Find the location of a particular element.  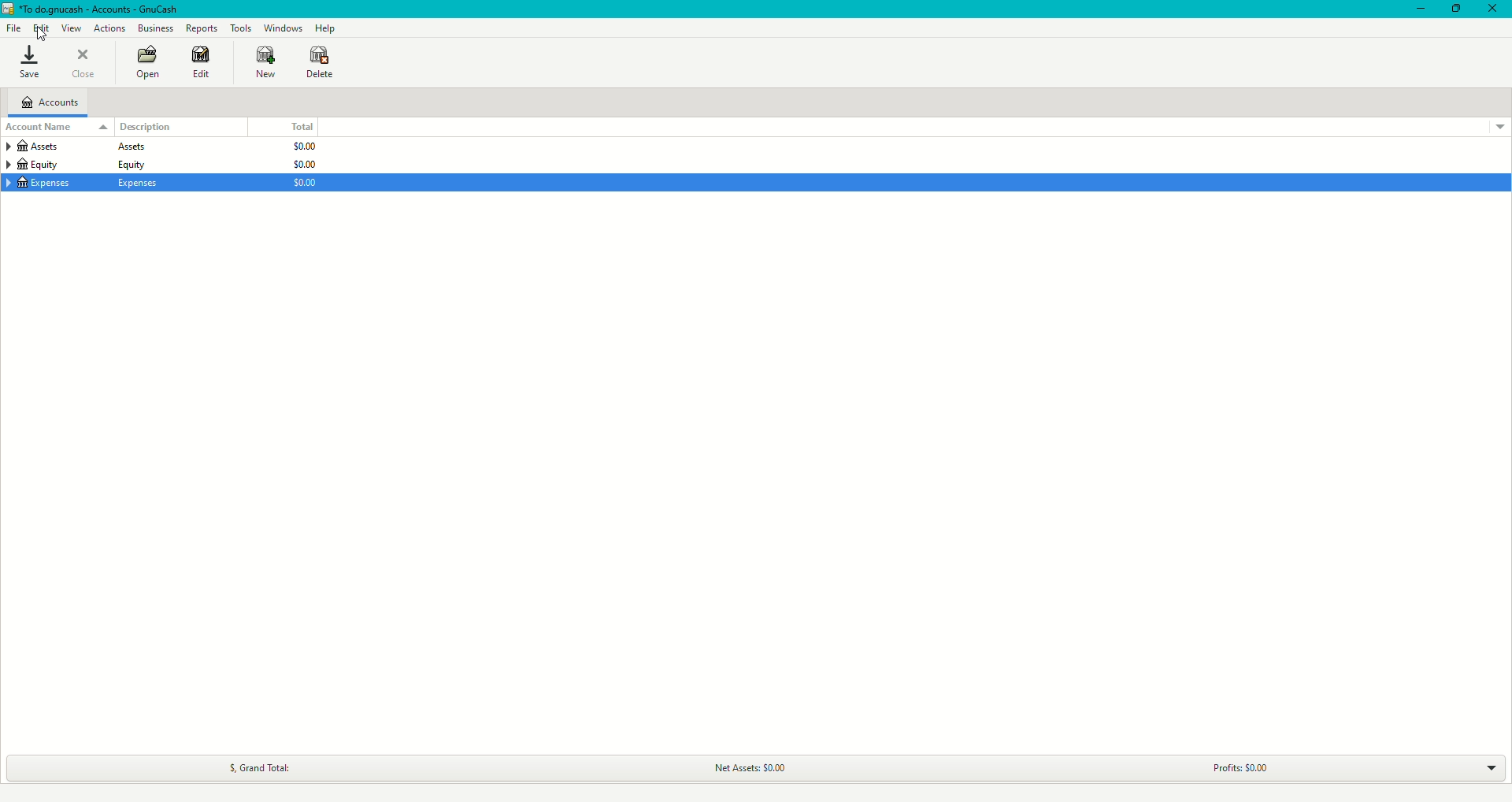

Close is located at coordinates (1493, 9).